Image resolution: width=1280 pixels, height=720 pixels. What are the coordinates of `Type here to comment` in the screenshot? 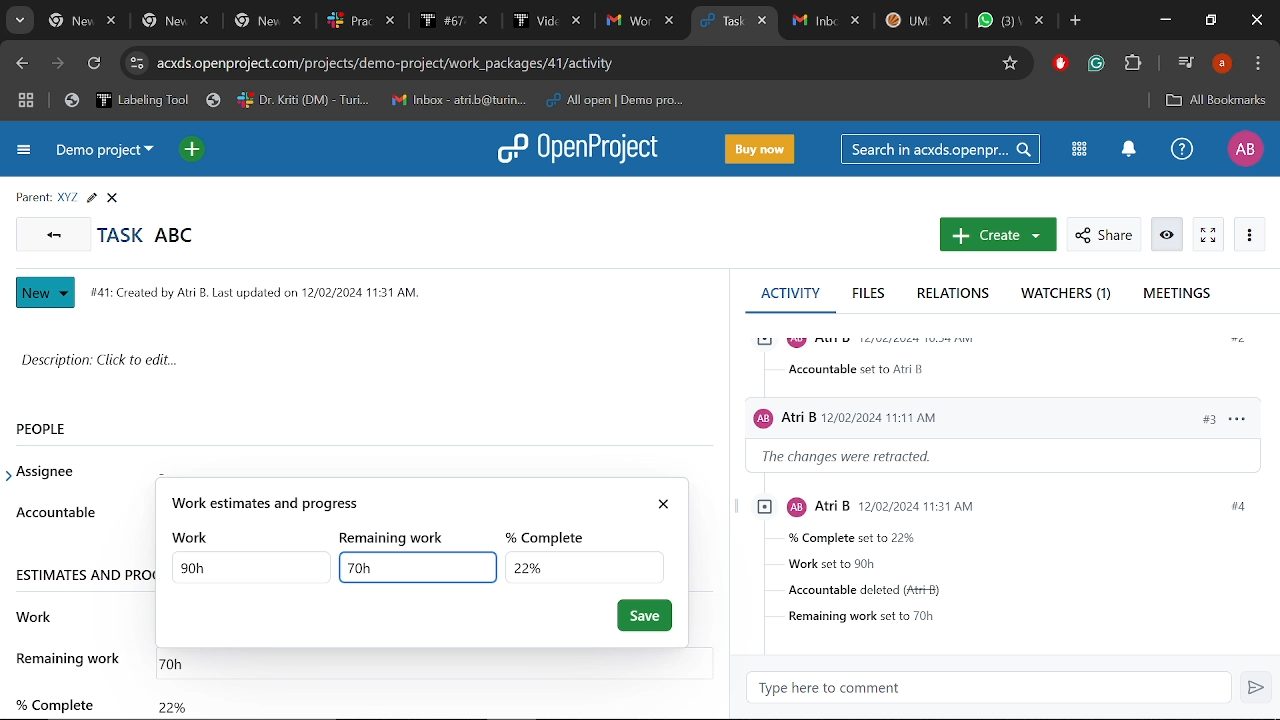 It's located at (995, 688).